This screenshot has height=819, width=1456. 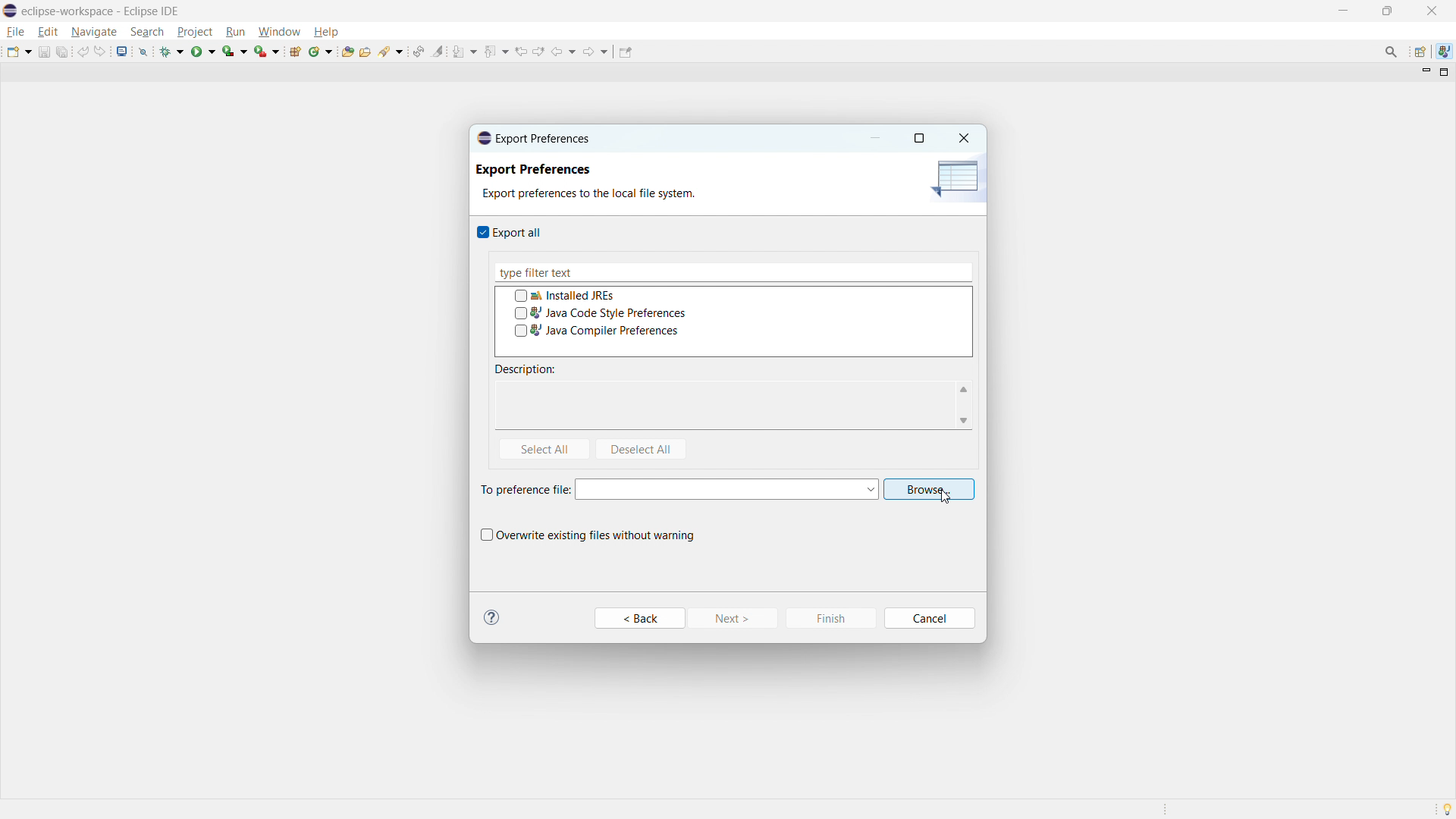 I want to click on help, so click(x=325, y=31).